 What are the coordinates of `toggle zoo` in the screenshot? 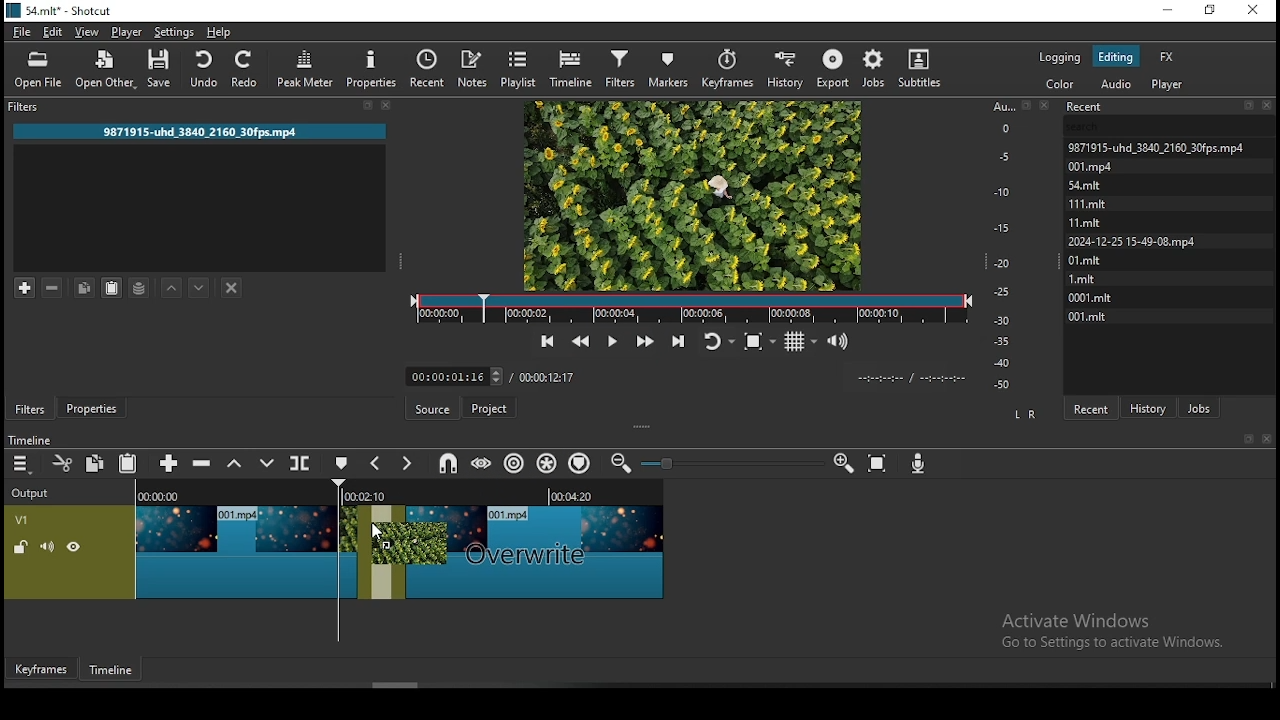 It's located at (753, 341).